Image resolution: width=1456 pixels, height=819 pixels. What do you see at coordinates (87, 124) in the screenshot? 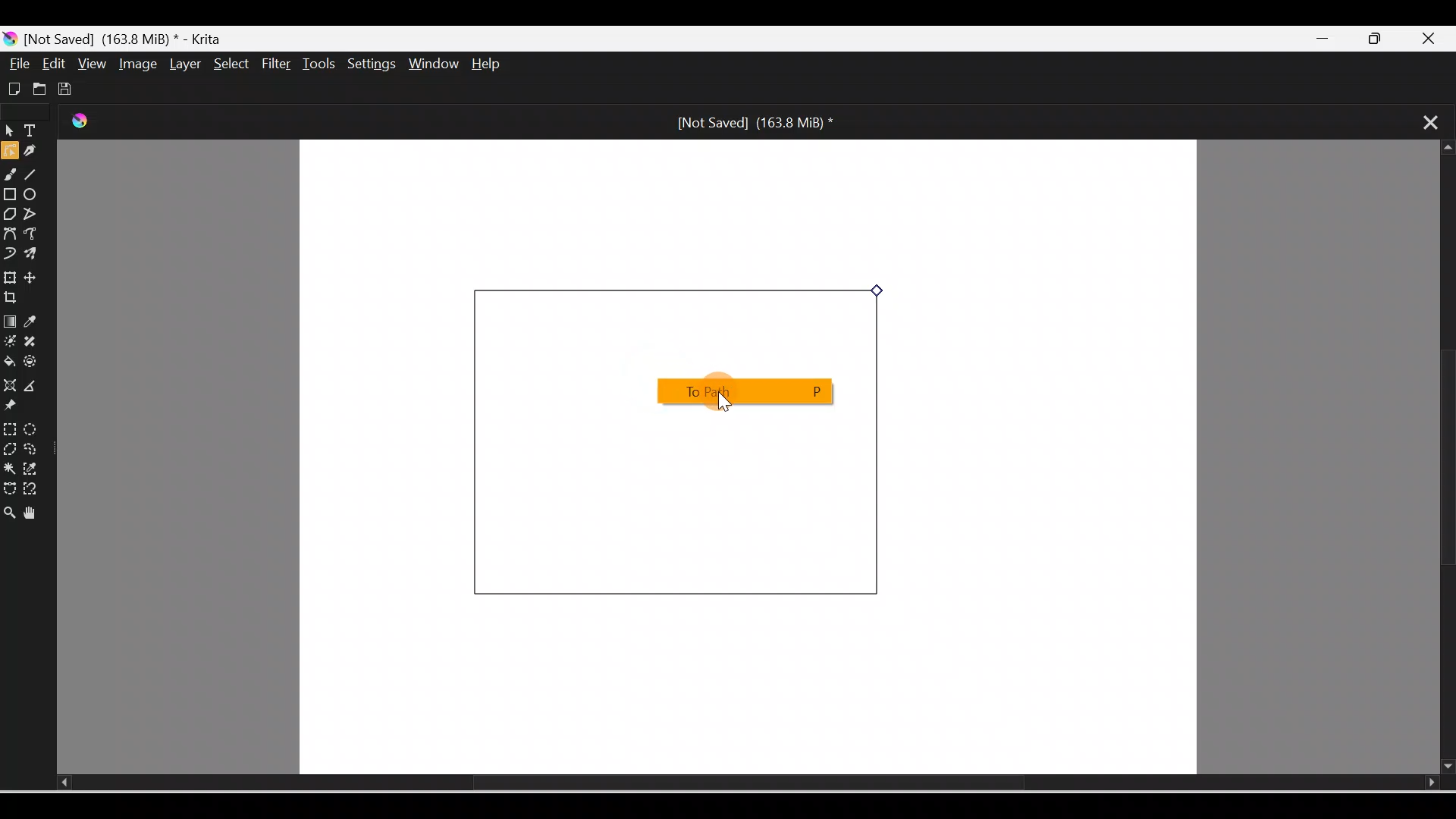
I see `Krita Logo` at bounding box center [87, 124].